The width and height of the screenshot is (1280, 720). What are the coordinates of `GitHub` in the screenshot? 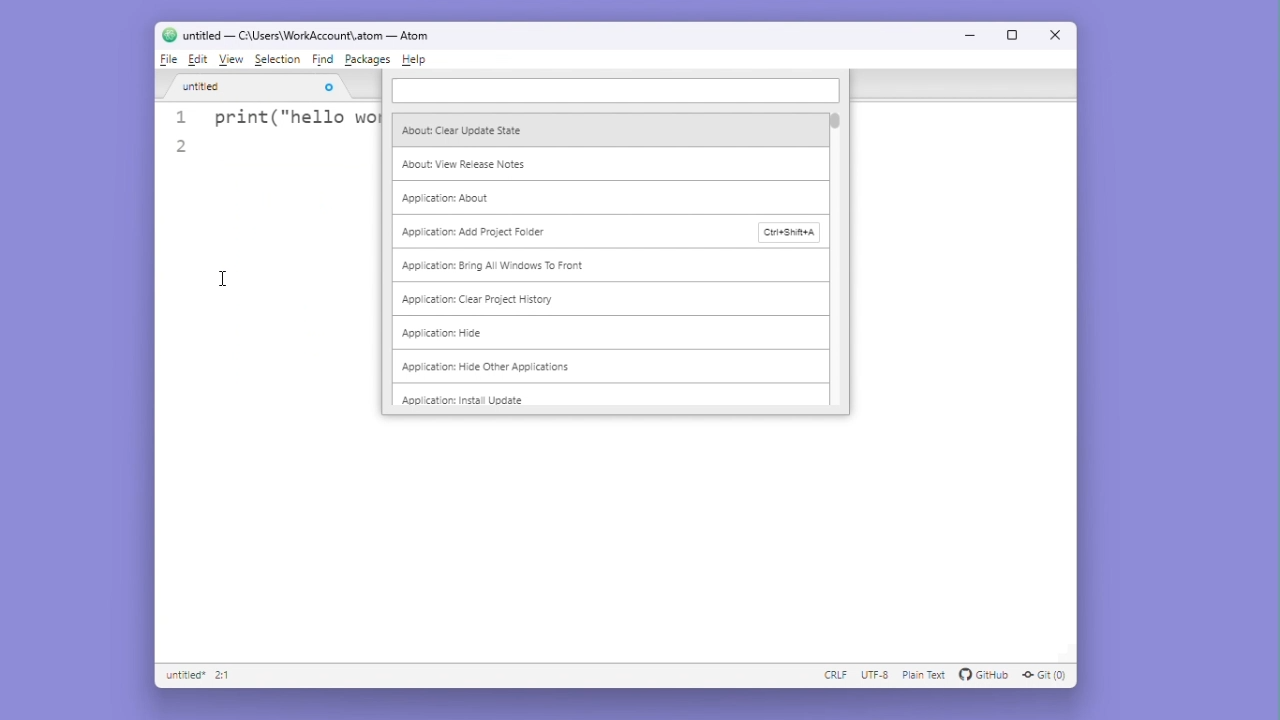 It's located at (983, 675).